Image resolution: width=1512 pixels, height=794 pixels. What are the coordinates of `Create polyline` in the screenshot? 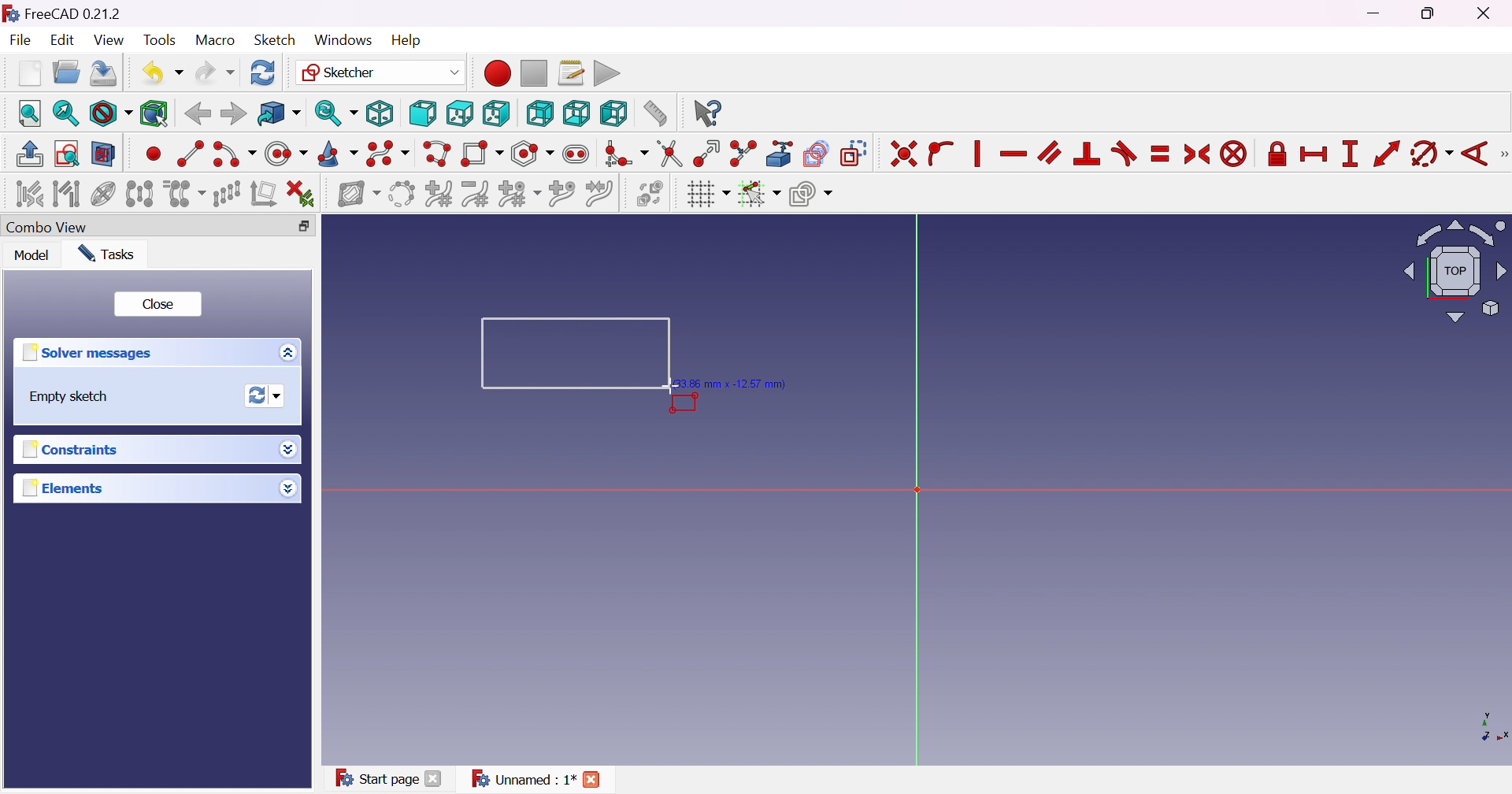 It's located at (438, 154).